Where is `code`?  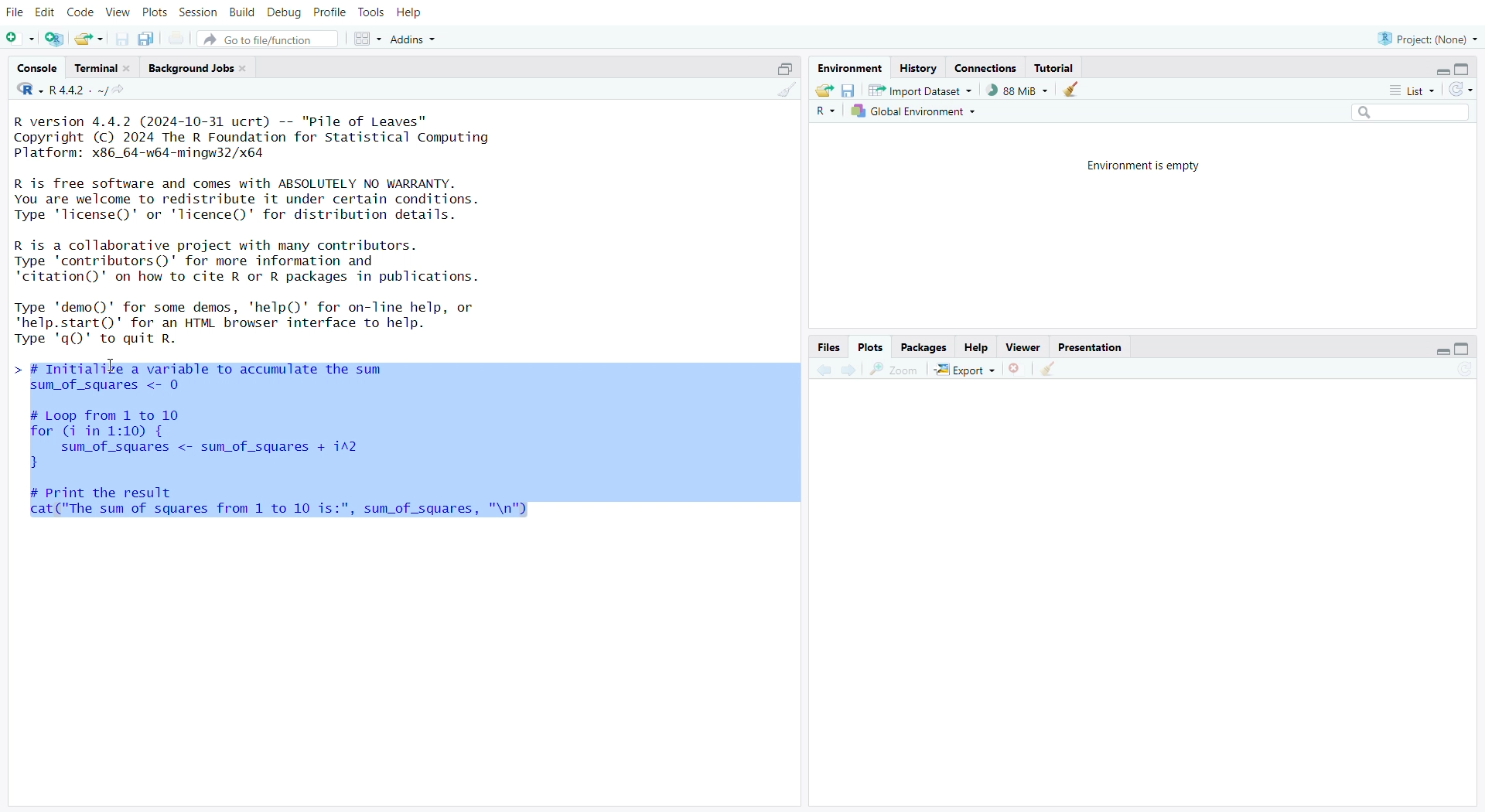 code is located at coordinates (80, 12).